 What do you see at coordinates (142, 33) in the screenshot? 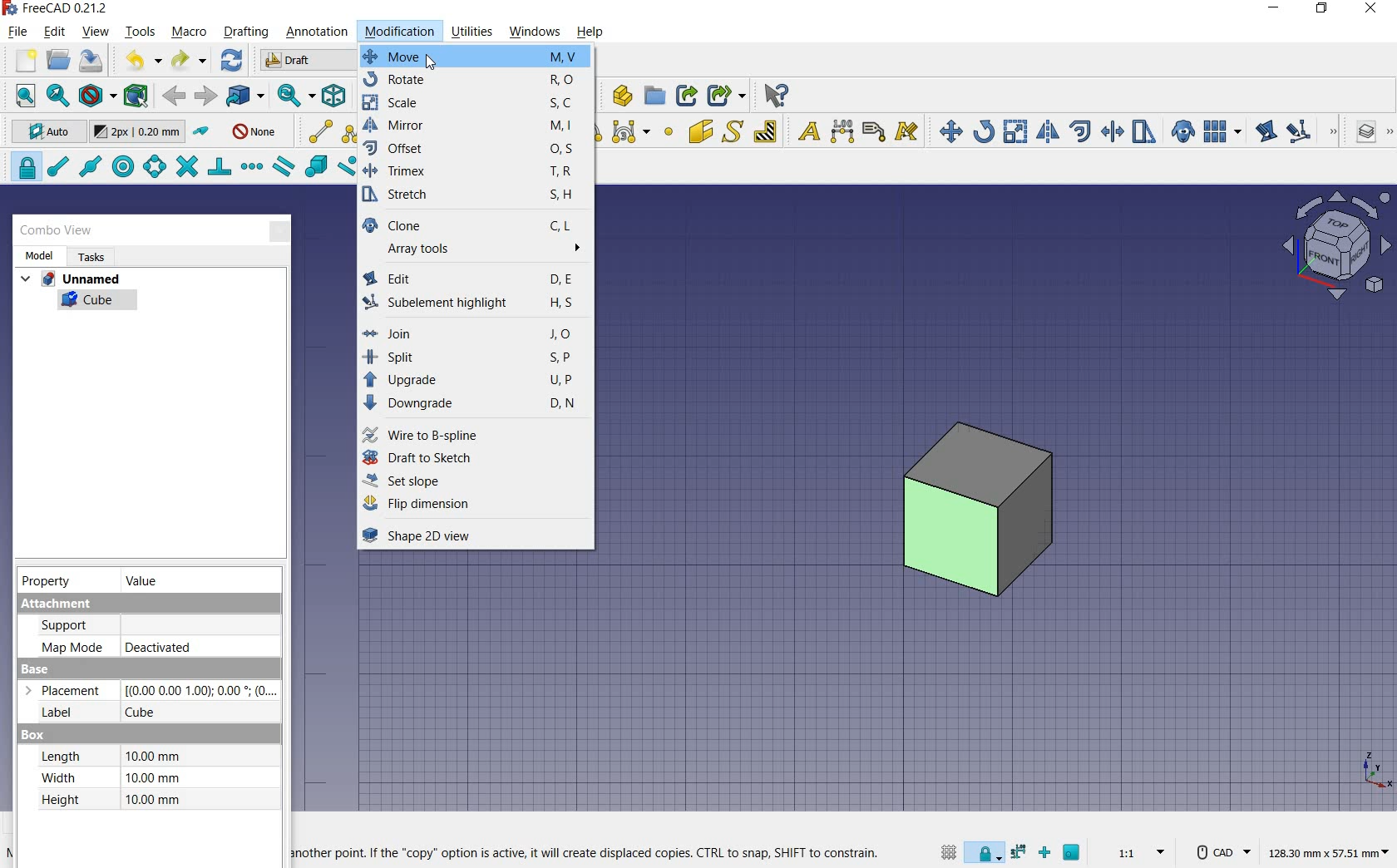
I see `tools` at bounding box center [142, 33].